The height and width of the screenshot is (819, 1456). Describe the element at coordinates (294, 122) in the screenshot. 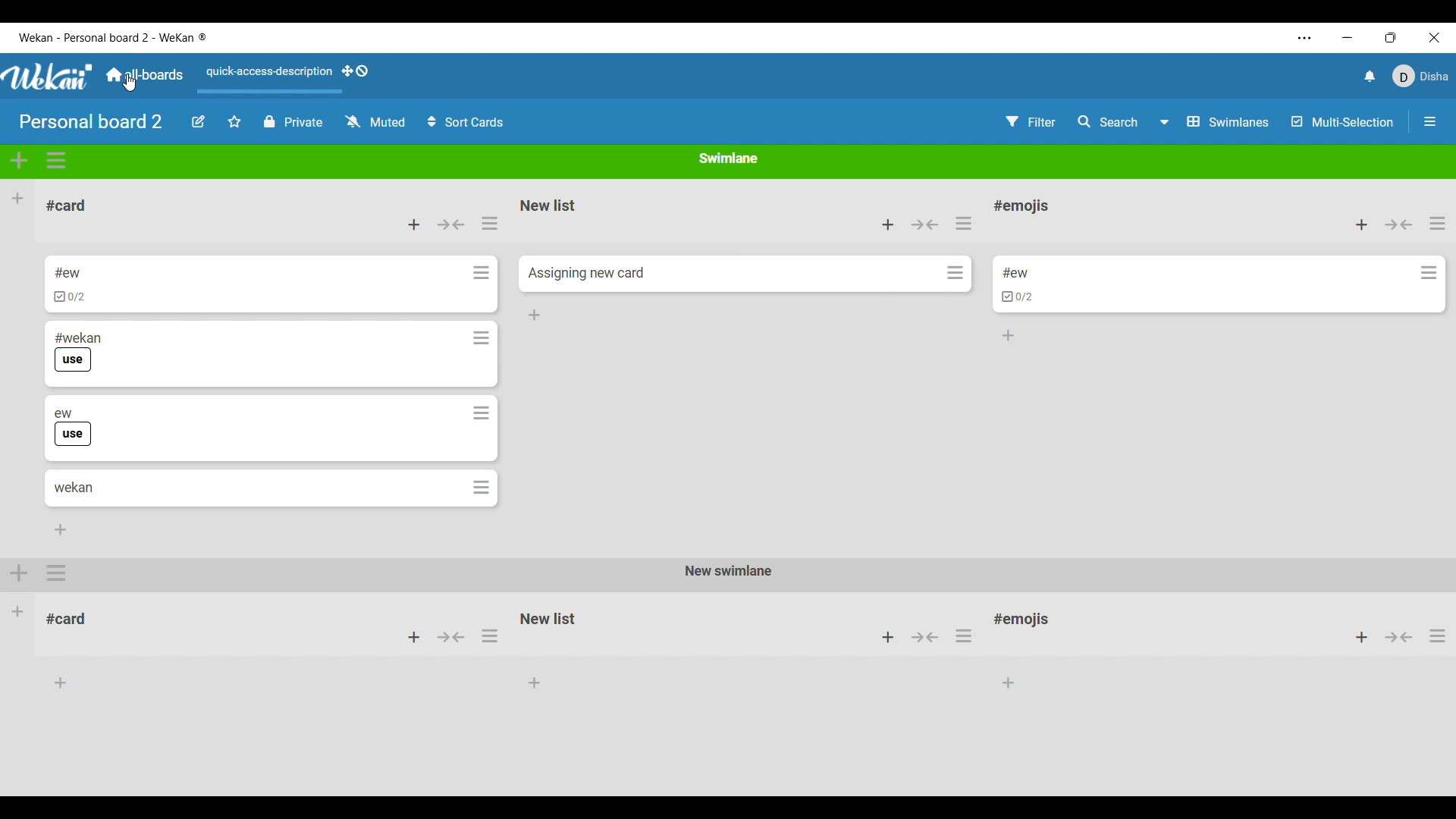

I see `Current privacy status` at that location.